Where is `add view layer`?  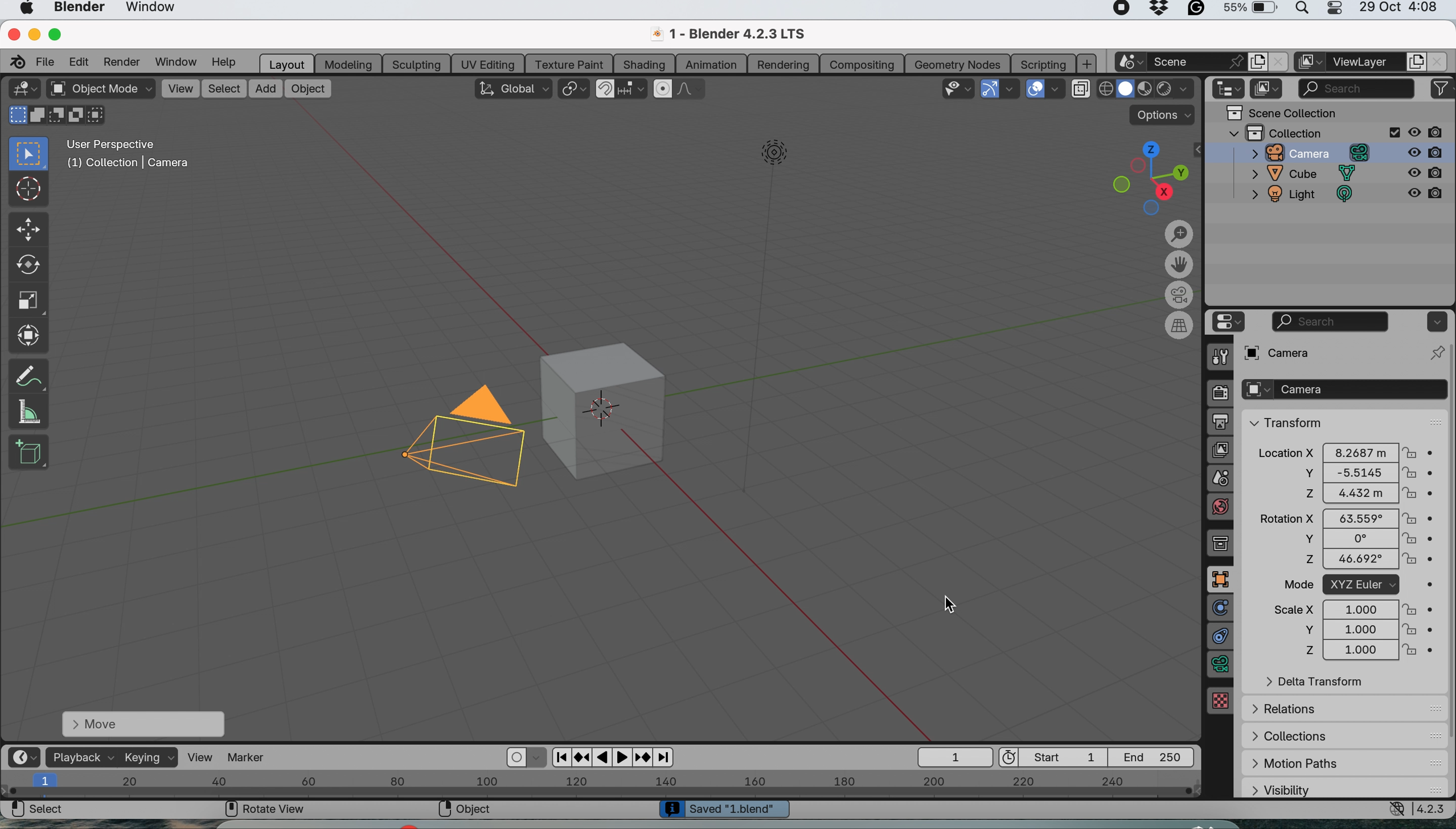
add view layer is located at coordinates (1414, 63).